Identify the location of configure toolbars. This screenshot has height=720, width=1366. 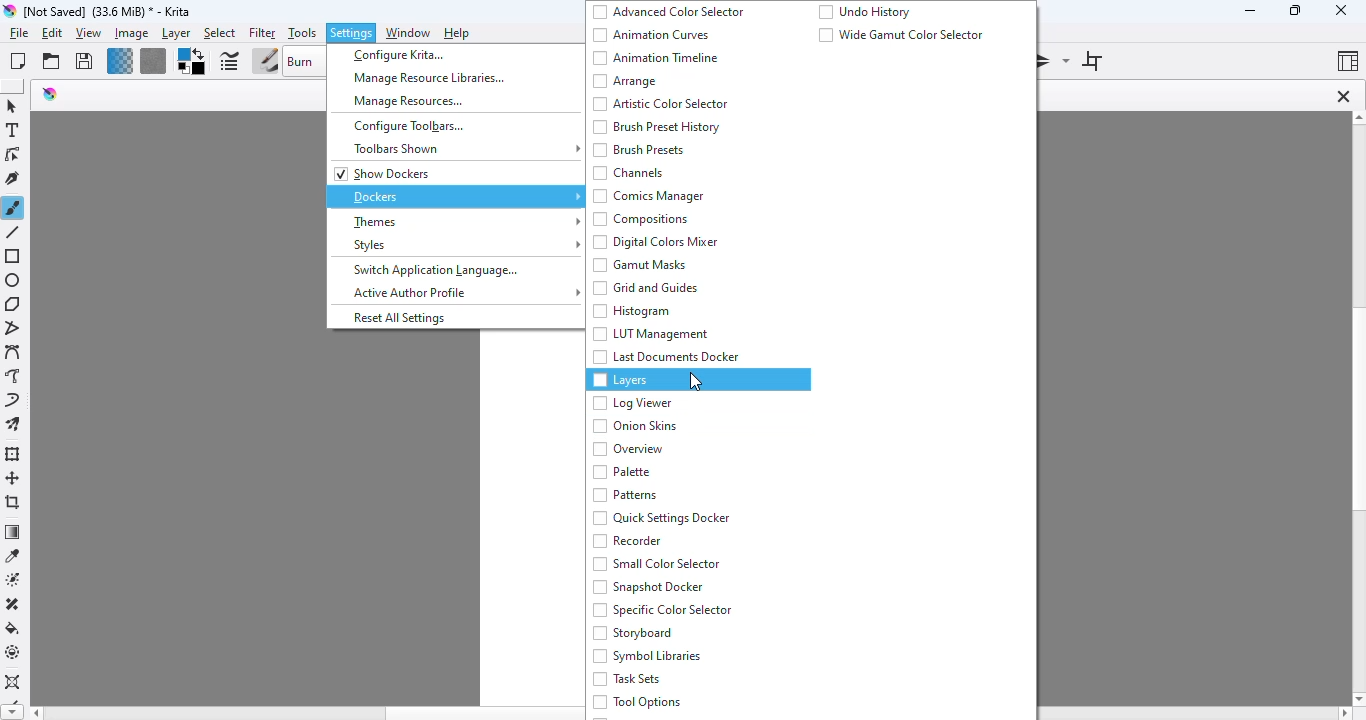
(407, 125).